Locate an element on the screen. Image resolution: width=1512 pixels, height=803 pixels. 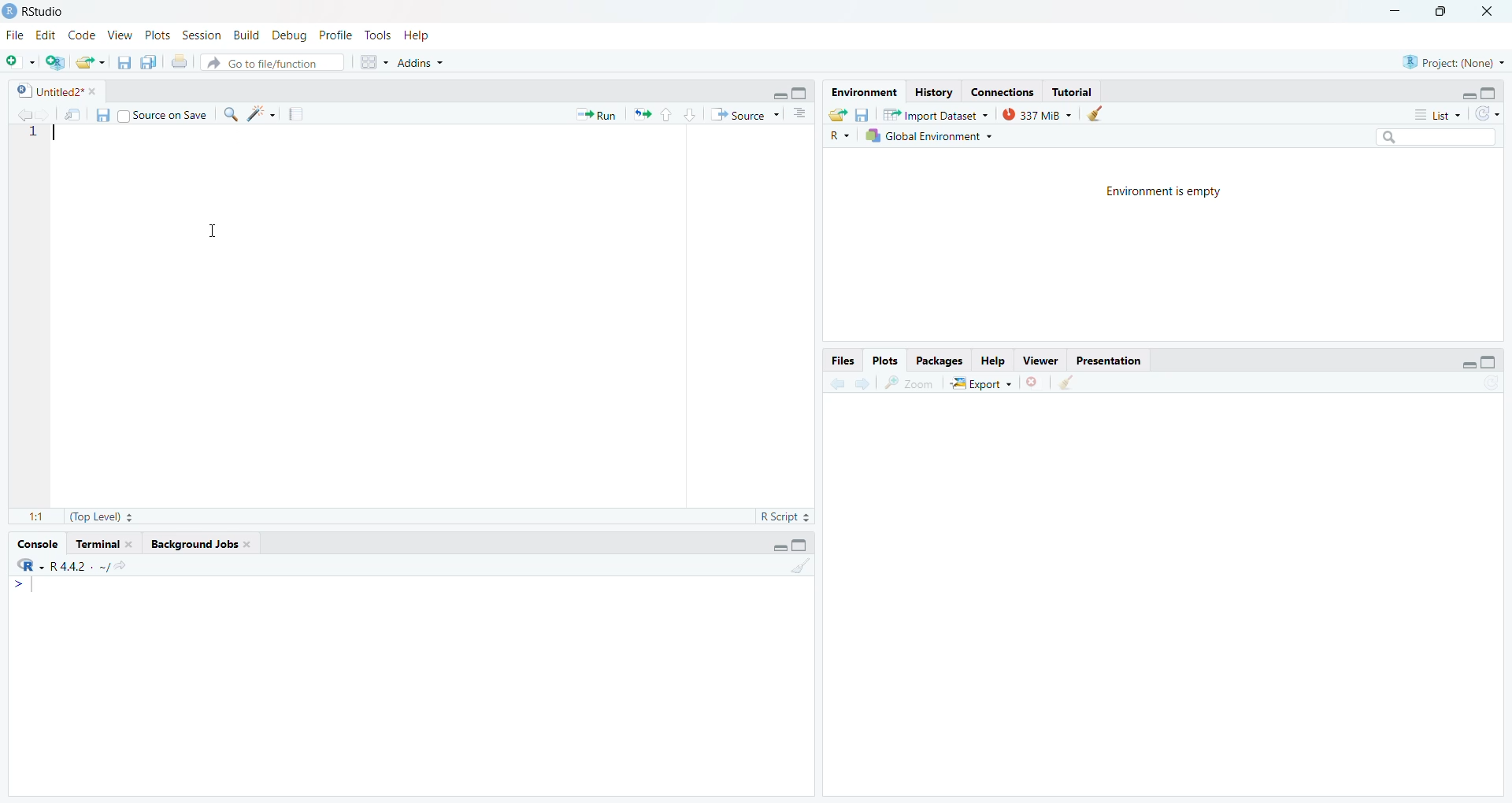
create new project is located at coordinates (58, 61).